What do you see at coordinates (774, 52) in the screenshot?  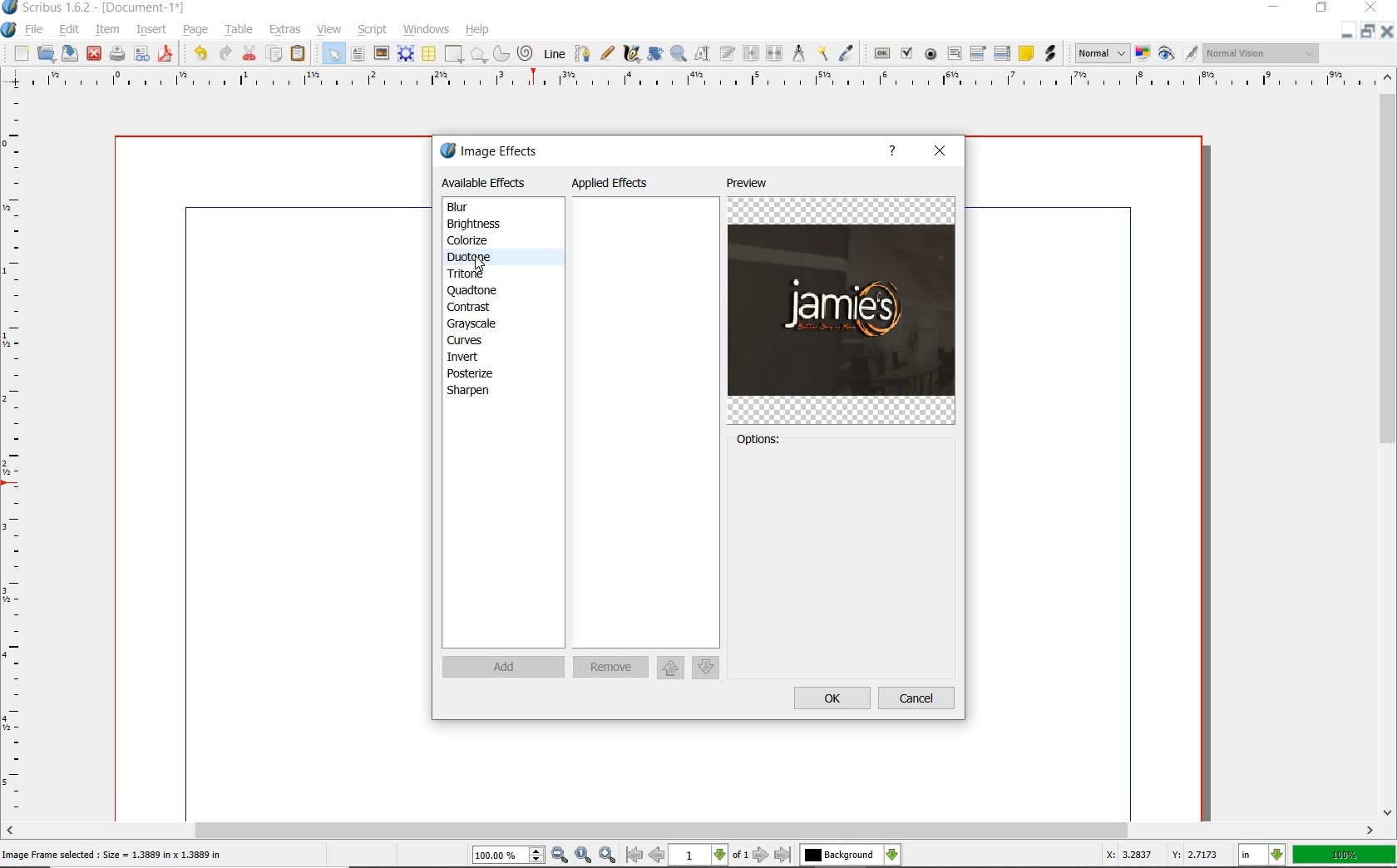 I see `unlink text frames` at bounding box center [774, 52].